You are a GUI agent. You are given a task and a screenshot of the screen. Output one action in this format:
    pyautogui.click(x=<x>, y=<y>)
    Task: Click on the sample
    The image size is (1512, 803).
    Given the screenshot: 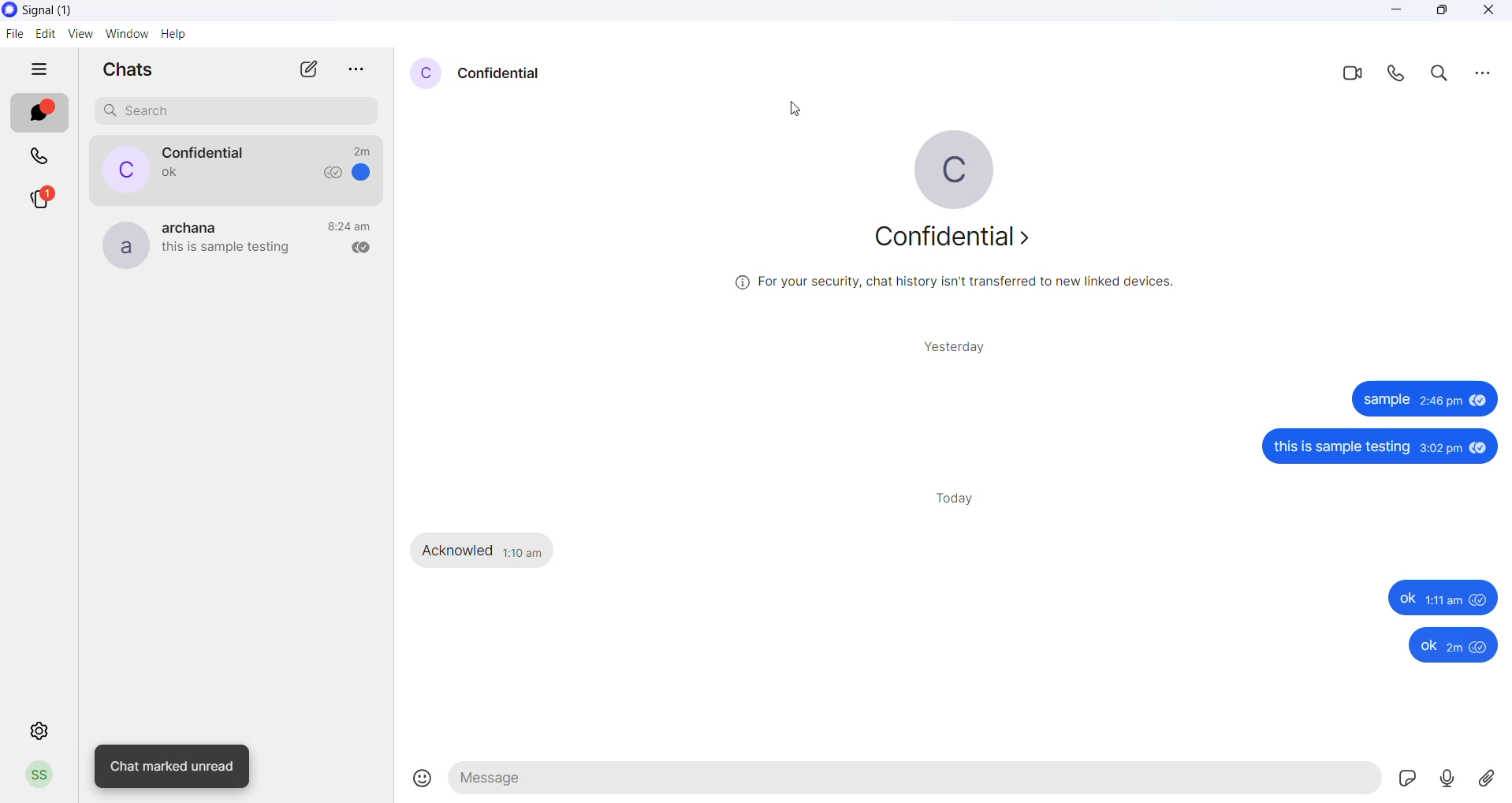 What is the action you would take?
    pyautogui.click(x=1427, y=401)
    